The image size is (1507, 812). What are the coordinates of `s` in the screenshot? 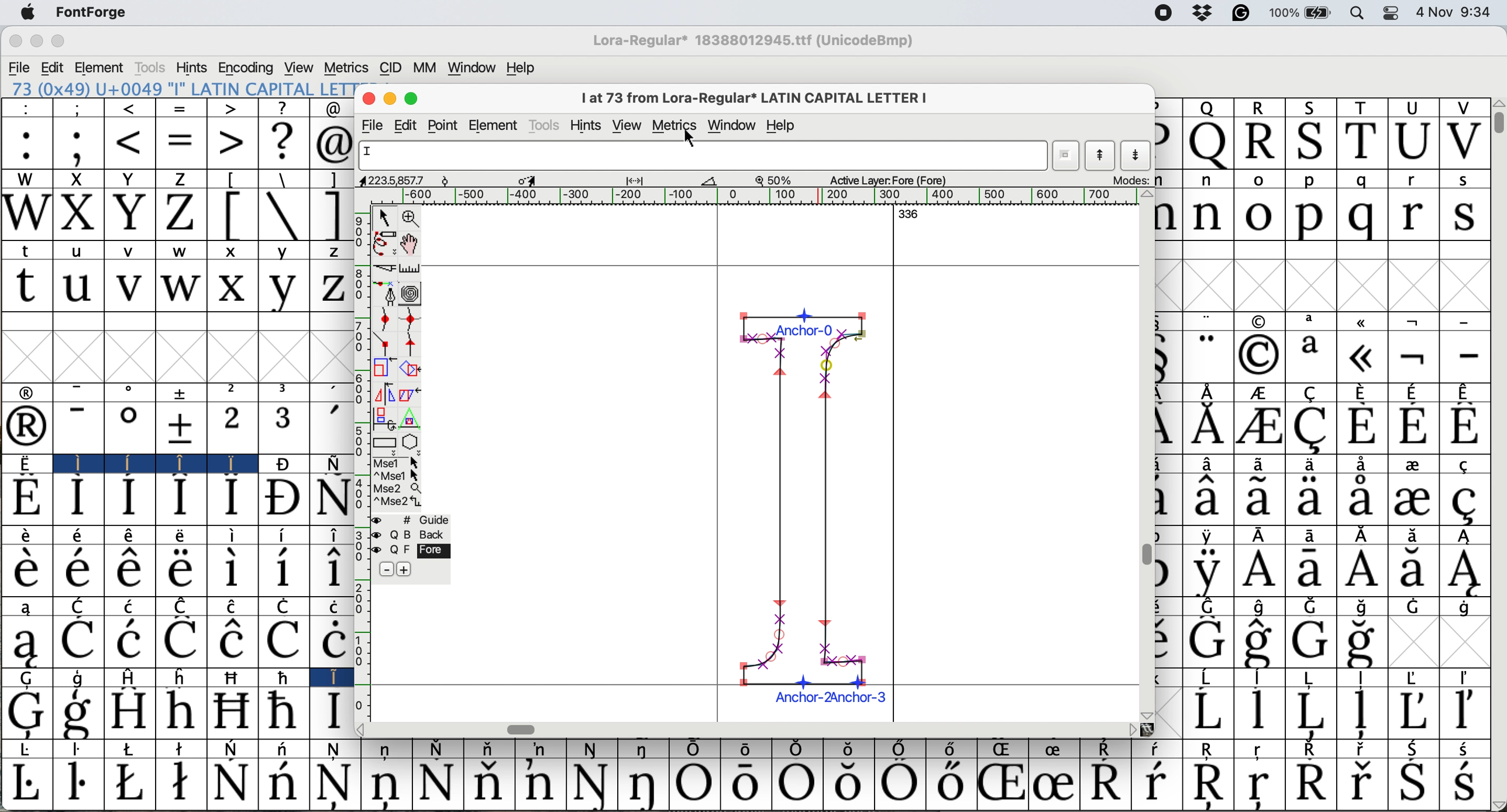 It's located at (1465, 216).